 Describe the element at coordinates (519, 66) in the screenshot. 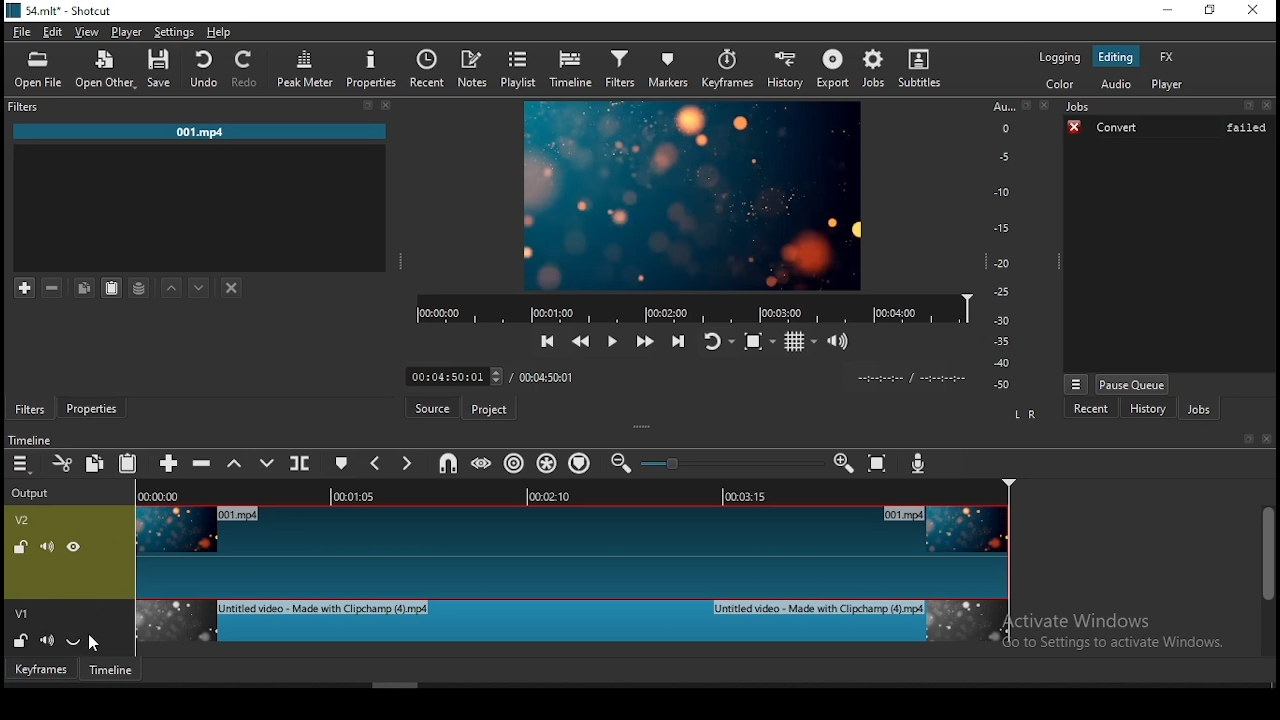

I see `playlist` at that location.